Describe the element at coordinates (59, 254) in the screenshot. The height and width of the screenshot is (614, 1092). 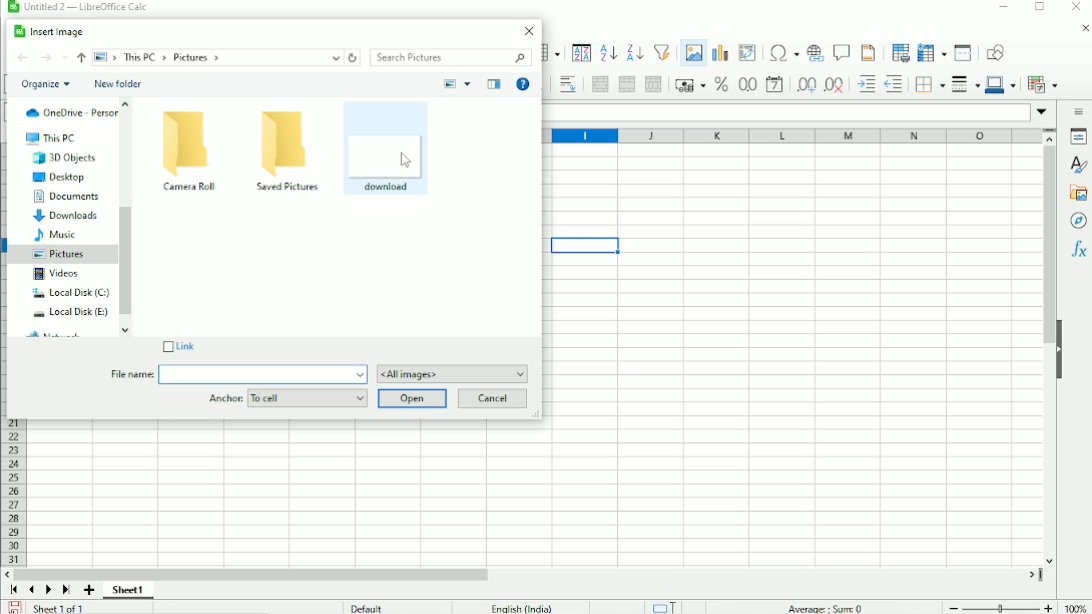
I see `Pictures` at that location.